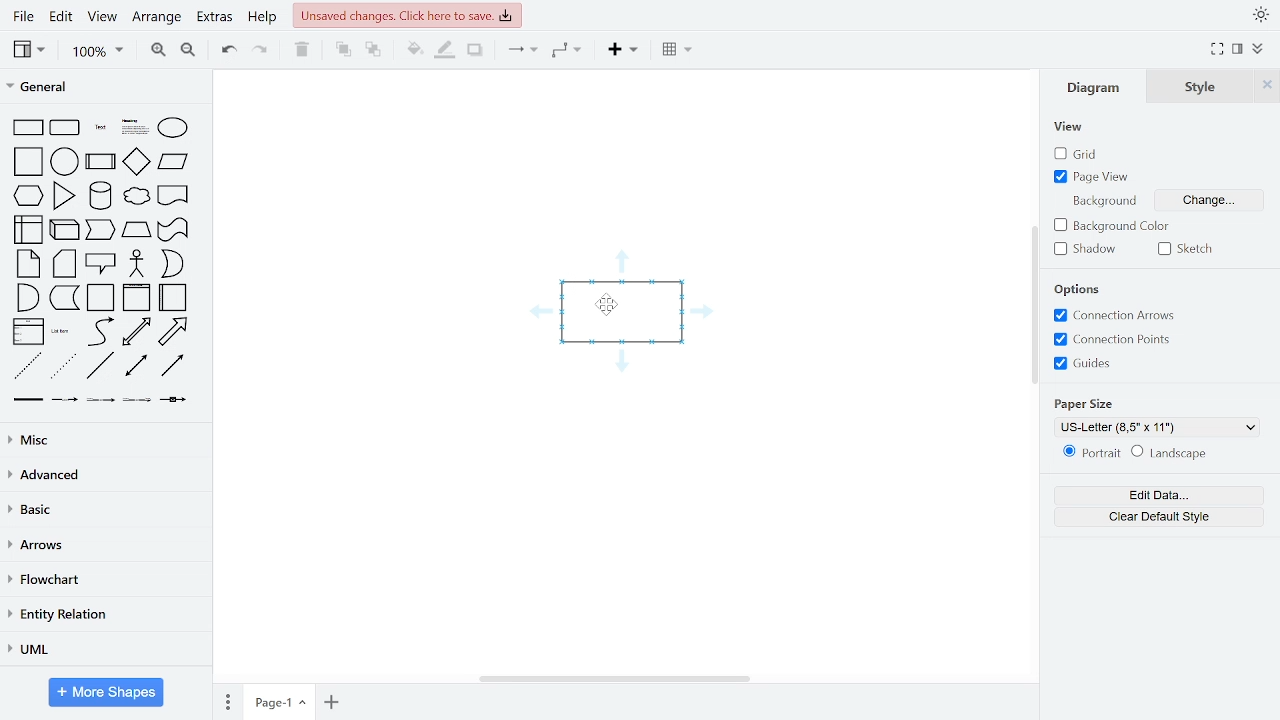 This screenshot has width=1280, height=720. What do you see at coordinates (261, 50) in the screenshot?
I see `redo` at bounding box center [261, 50].